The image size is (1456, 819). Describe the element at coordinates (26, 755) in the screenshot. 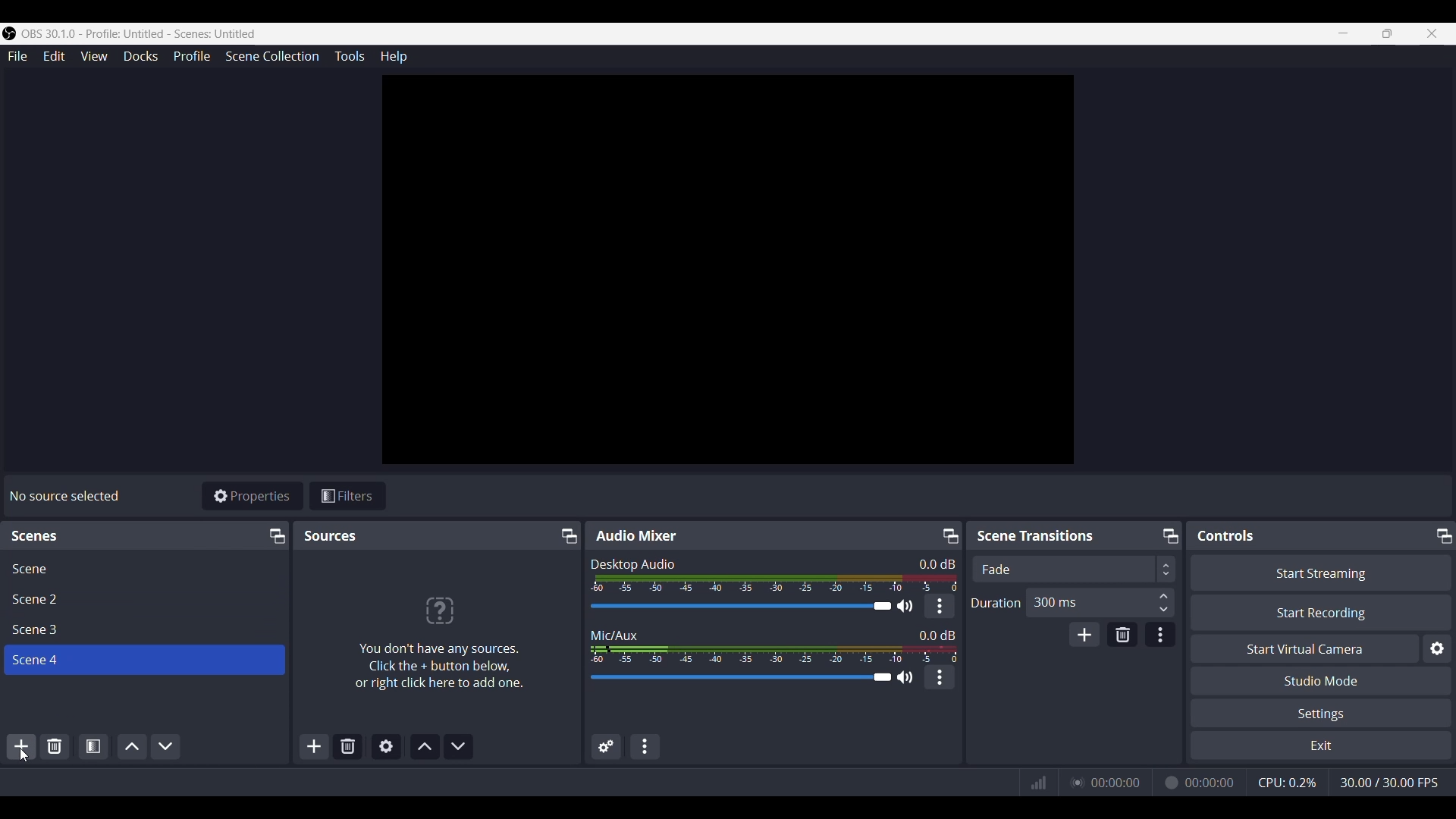

I see `Cursor` at that location.